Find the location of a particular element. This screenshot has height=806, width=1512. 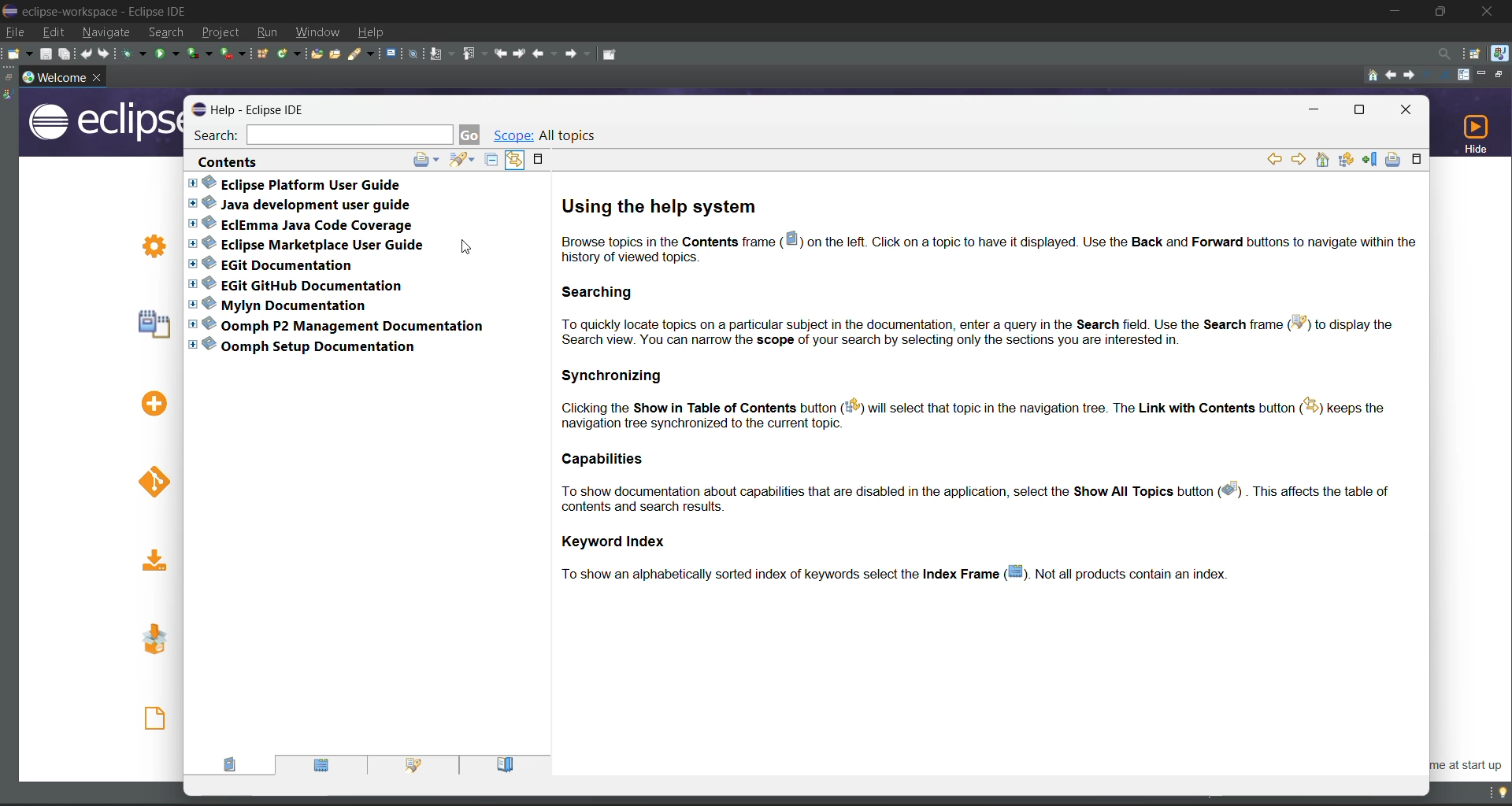

minimize is located at coordinates (1486, 76).